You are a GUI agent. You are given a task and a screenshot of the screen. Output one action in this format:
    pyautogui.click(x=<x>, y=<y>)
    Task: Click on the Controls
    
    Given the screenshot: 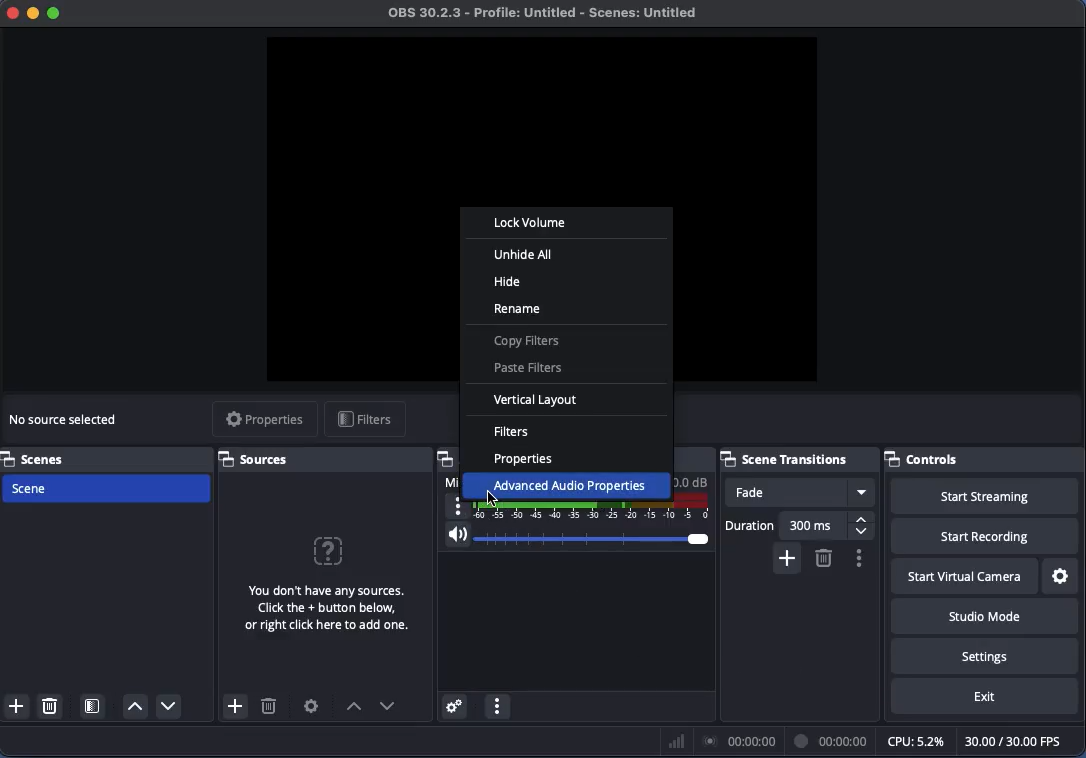 What is the action you would take?
    pyautogui.click(x=983, y=458)
    